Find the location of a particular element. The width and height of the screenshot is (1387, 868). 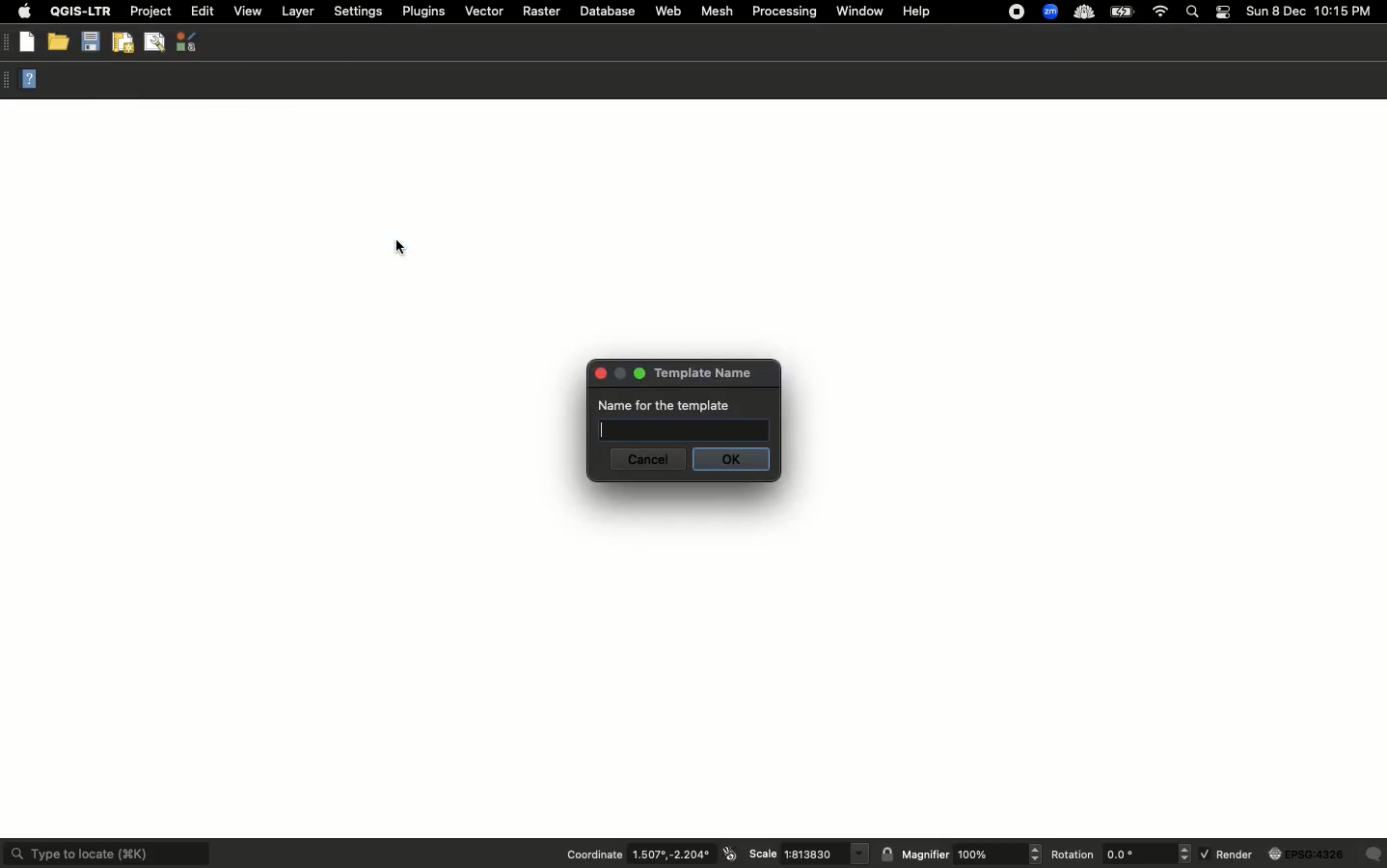

maximise is located at coordinates (638, 371).